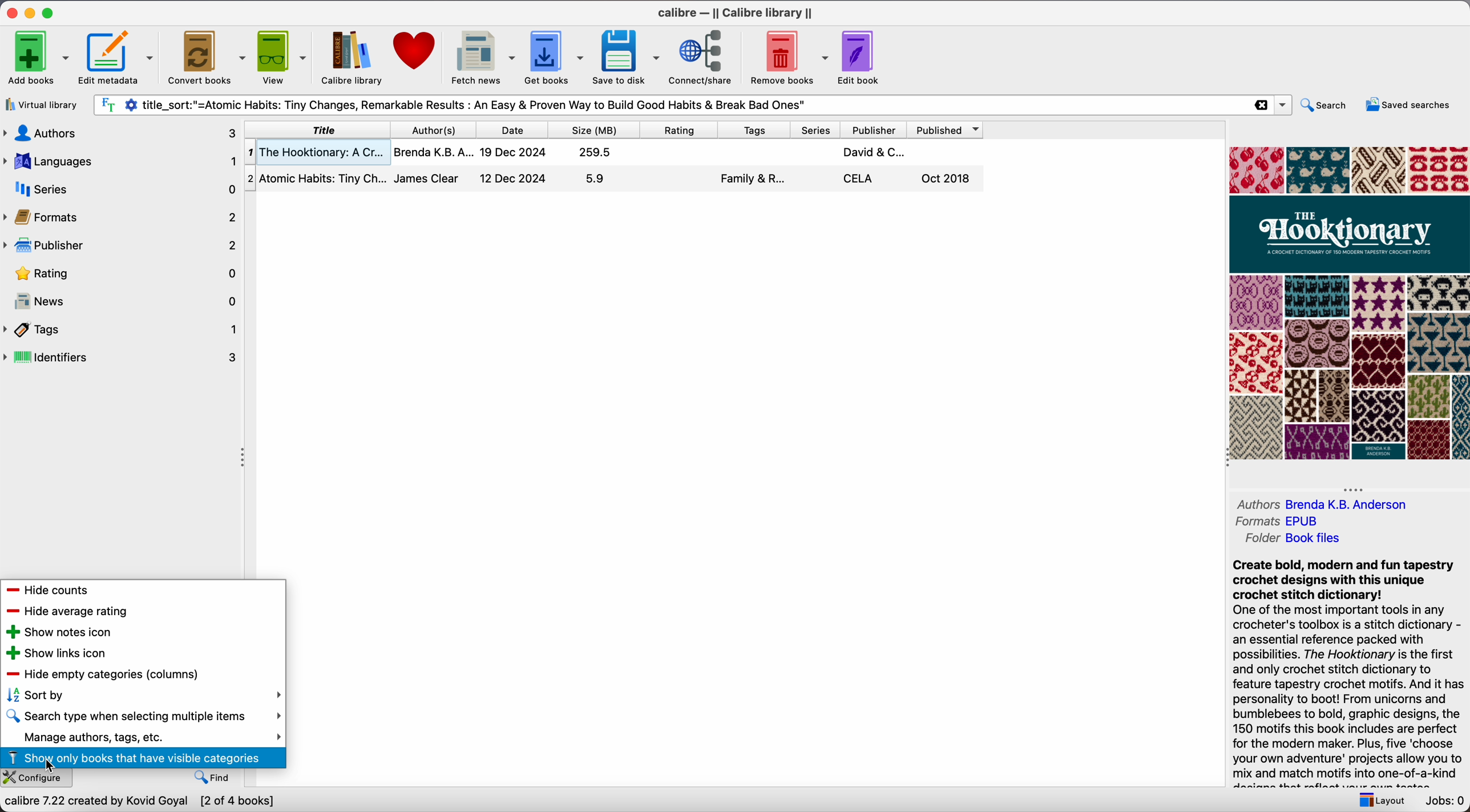 The width and height of the screenshot is (1470, 812). Describe the element at coordinates (1381, 801) in the screenshot. I see `layout` at that location.